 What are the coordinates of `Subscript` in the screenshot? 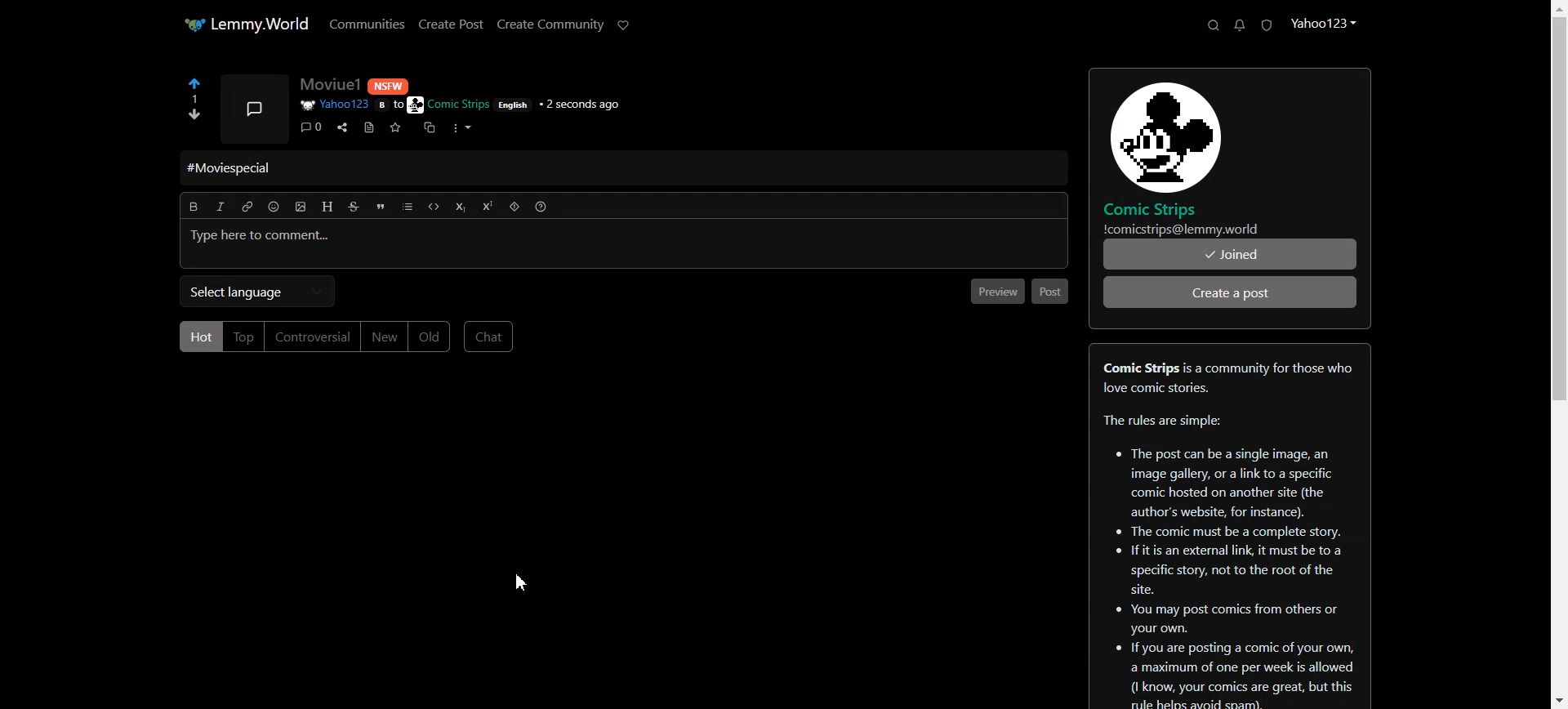 It's located at (461, 208).